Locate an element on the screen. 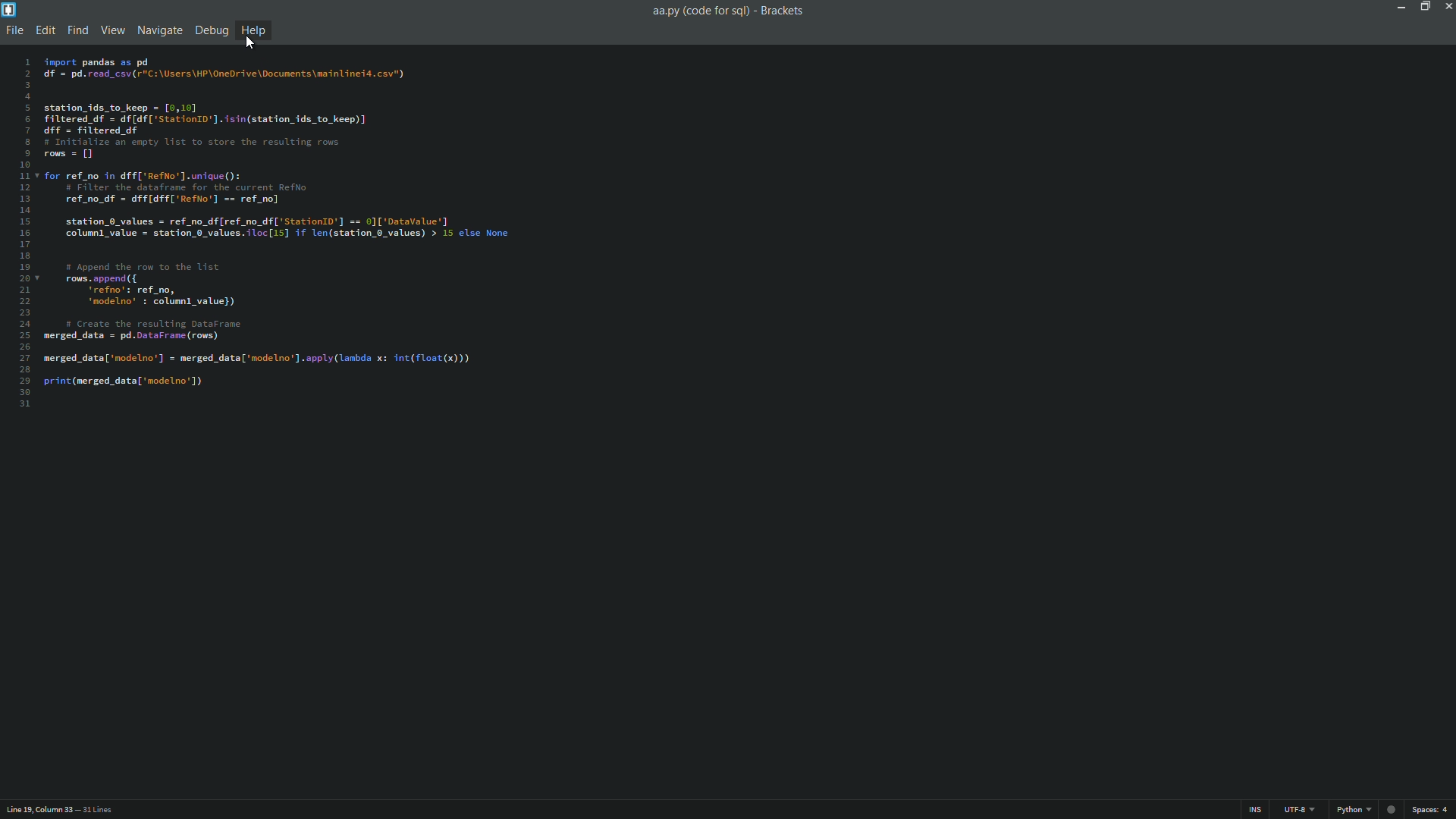 This screenshot has width=1456, height=819. ins is located at coordinates (1257, 808).